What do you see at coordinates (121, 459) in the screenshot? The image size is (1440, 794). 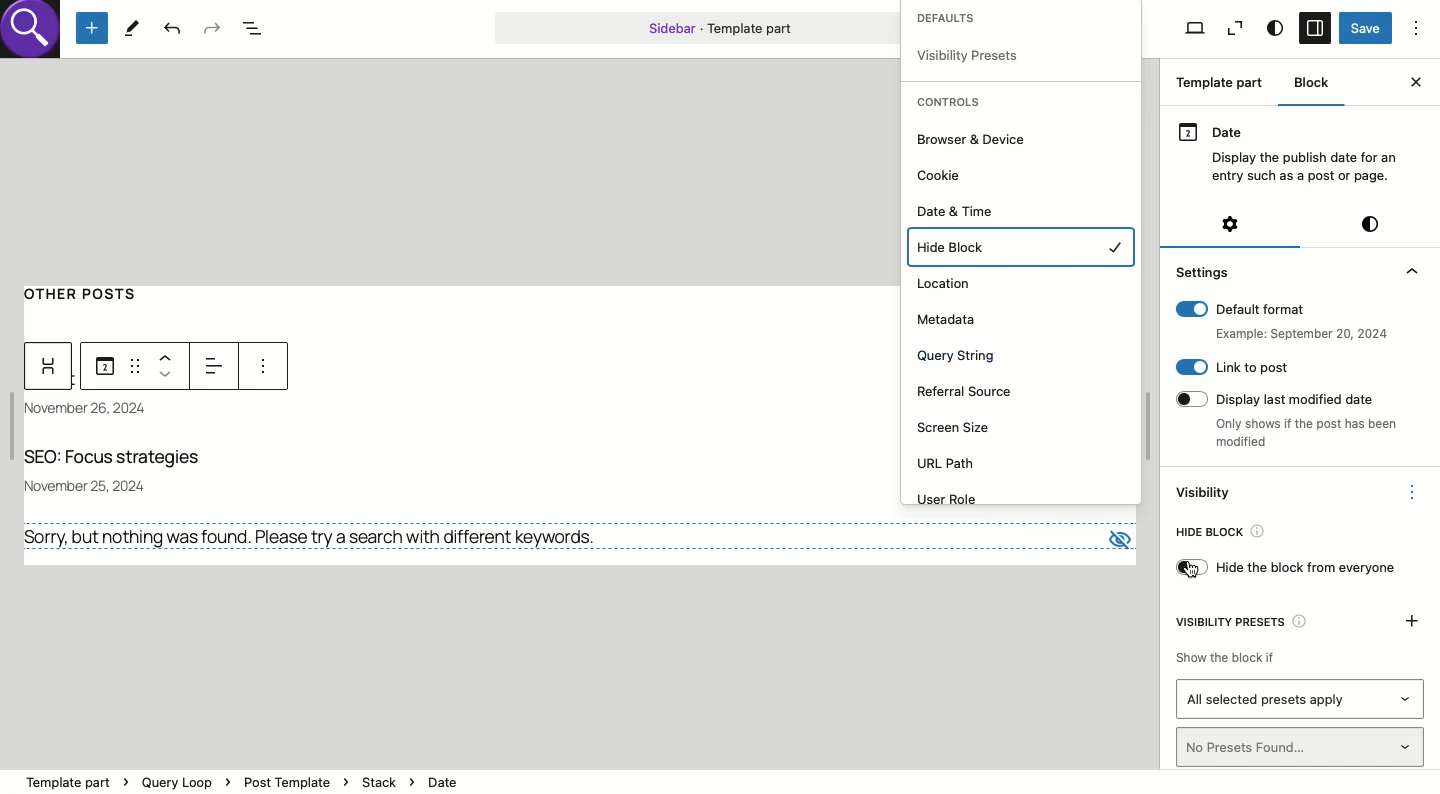 I see `Title` at bounding box center [121, 459].